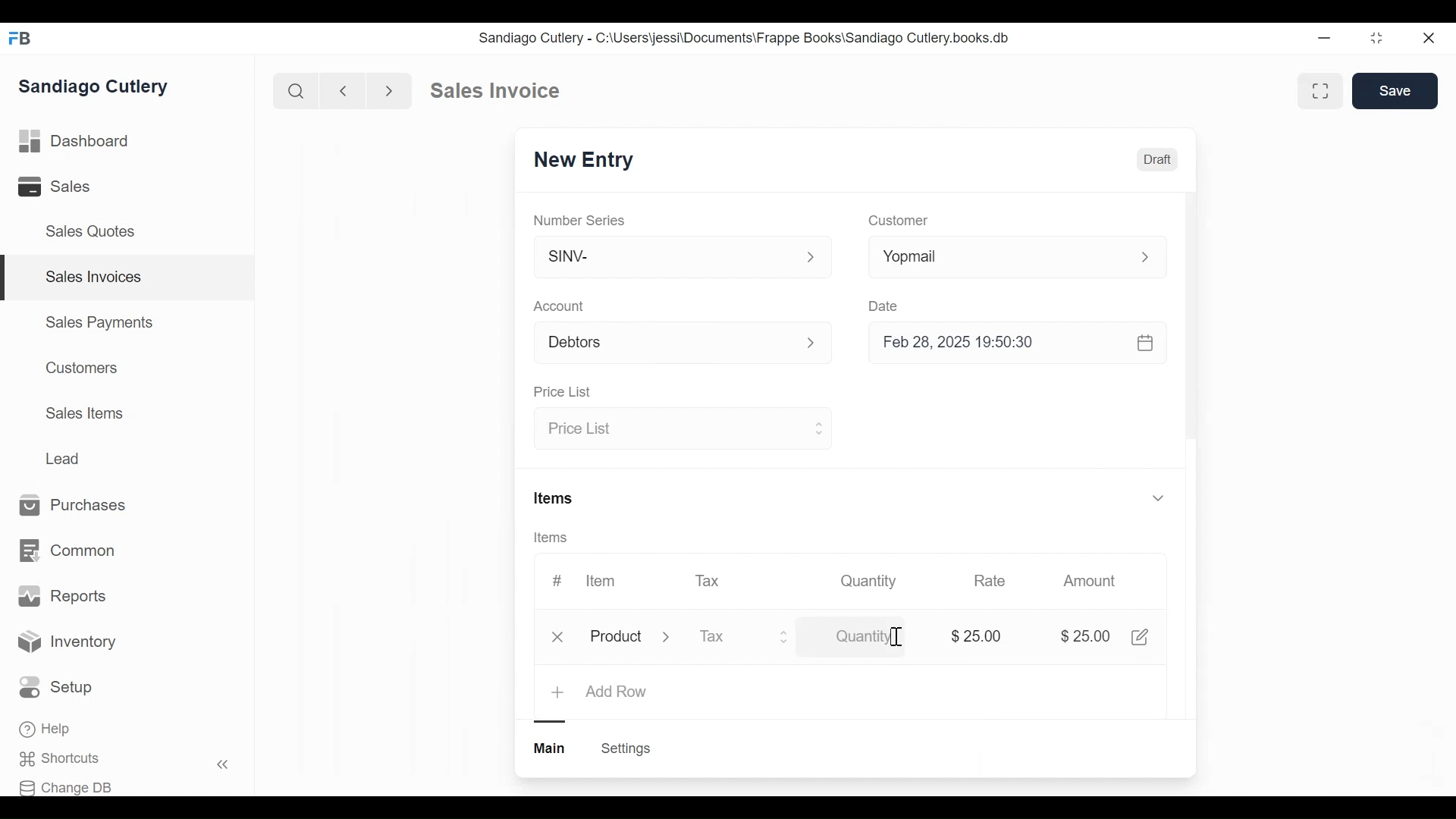 Image resolution: width=1456 pixels, height=819 pixels. I want to click on Sales Payments, so click(98, 322).